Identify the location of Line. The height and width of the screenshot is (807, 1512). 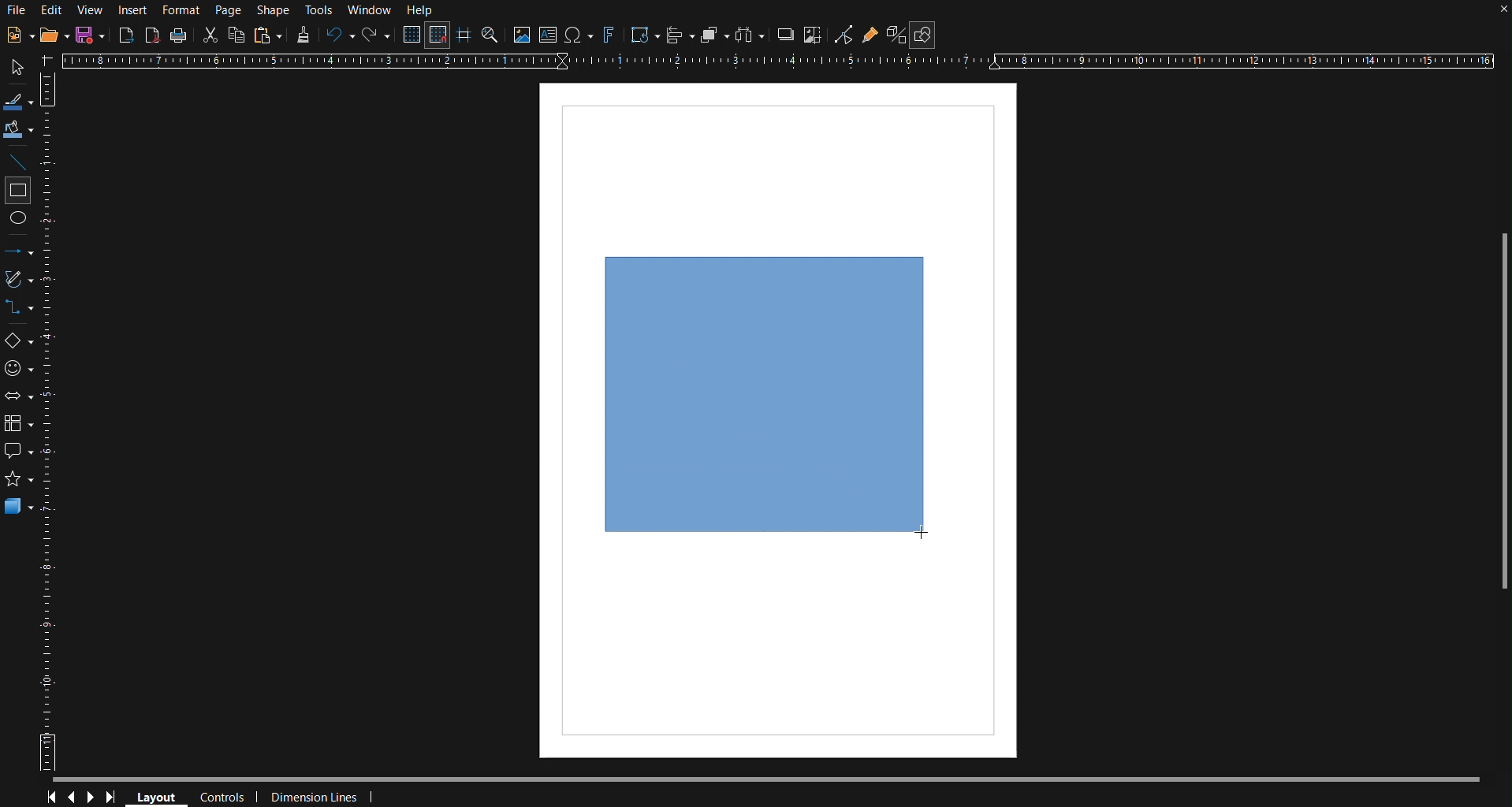
(19, 161).